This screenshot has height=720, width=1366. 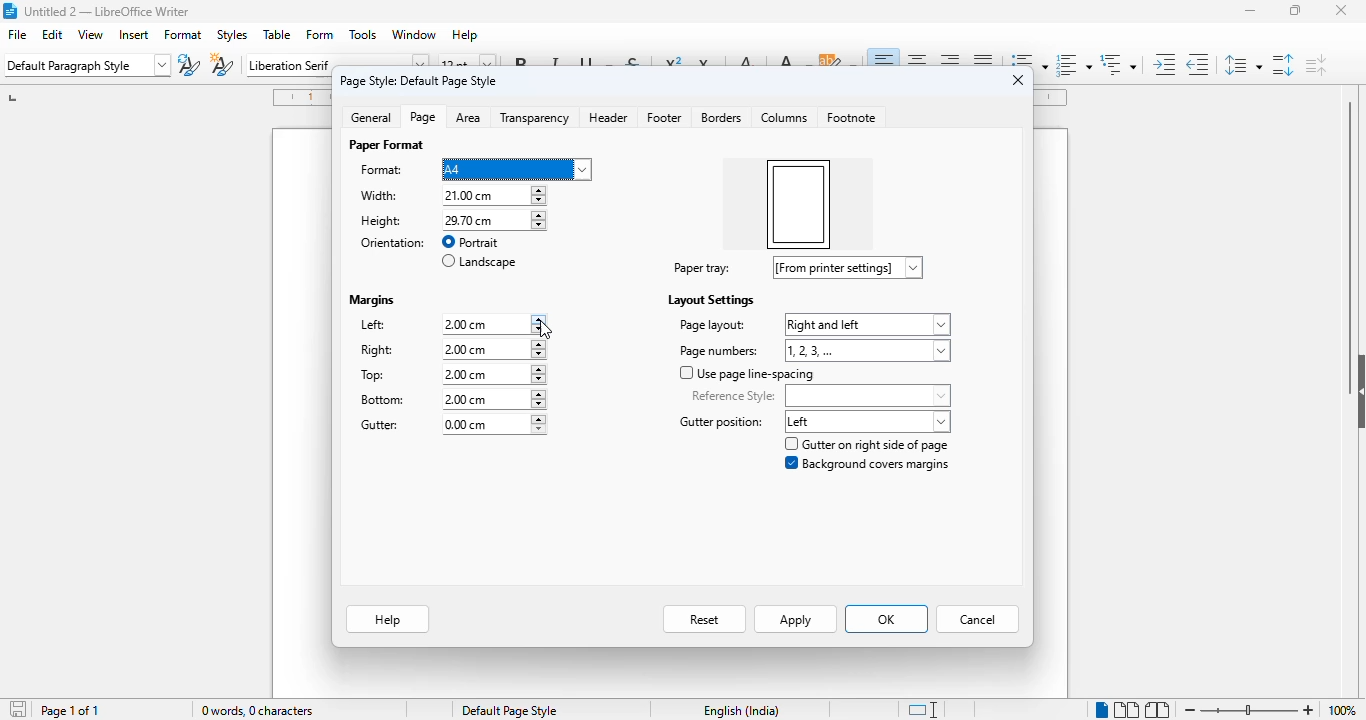 What do you see at coordinates (539, 221) in the screenshot?
I see `increment or decrement width` at bounding box center [539, 221].